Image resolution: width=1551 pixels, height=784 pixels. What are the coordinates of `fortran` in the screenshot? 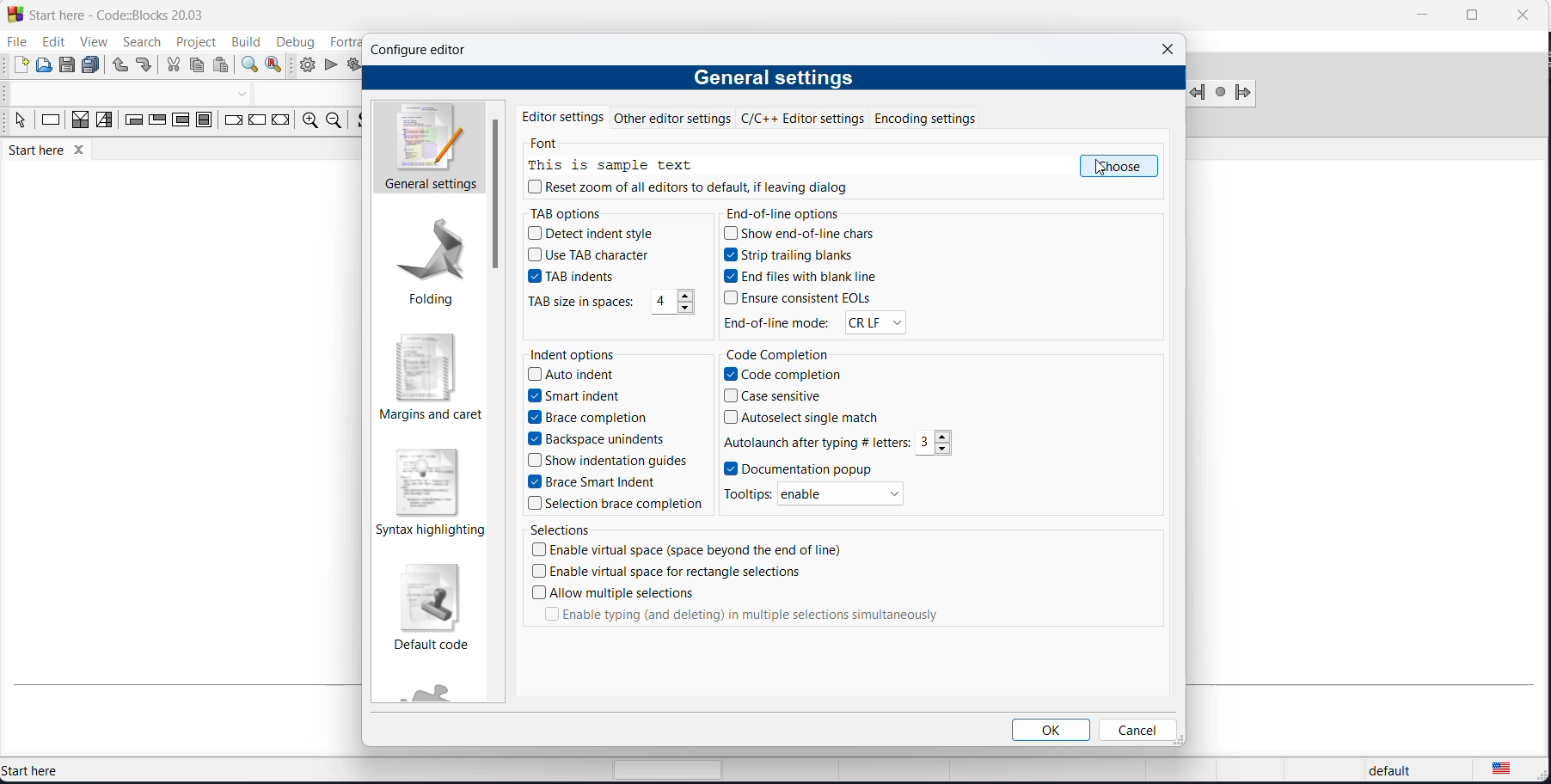 It's located at (340, 40).